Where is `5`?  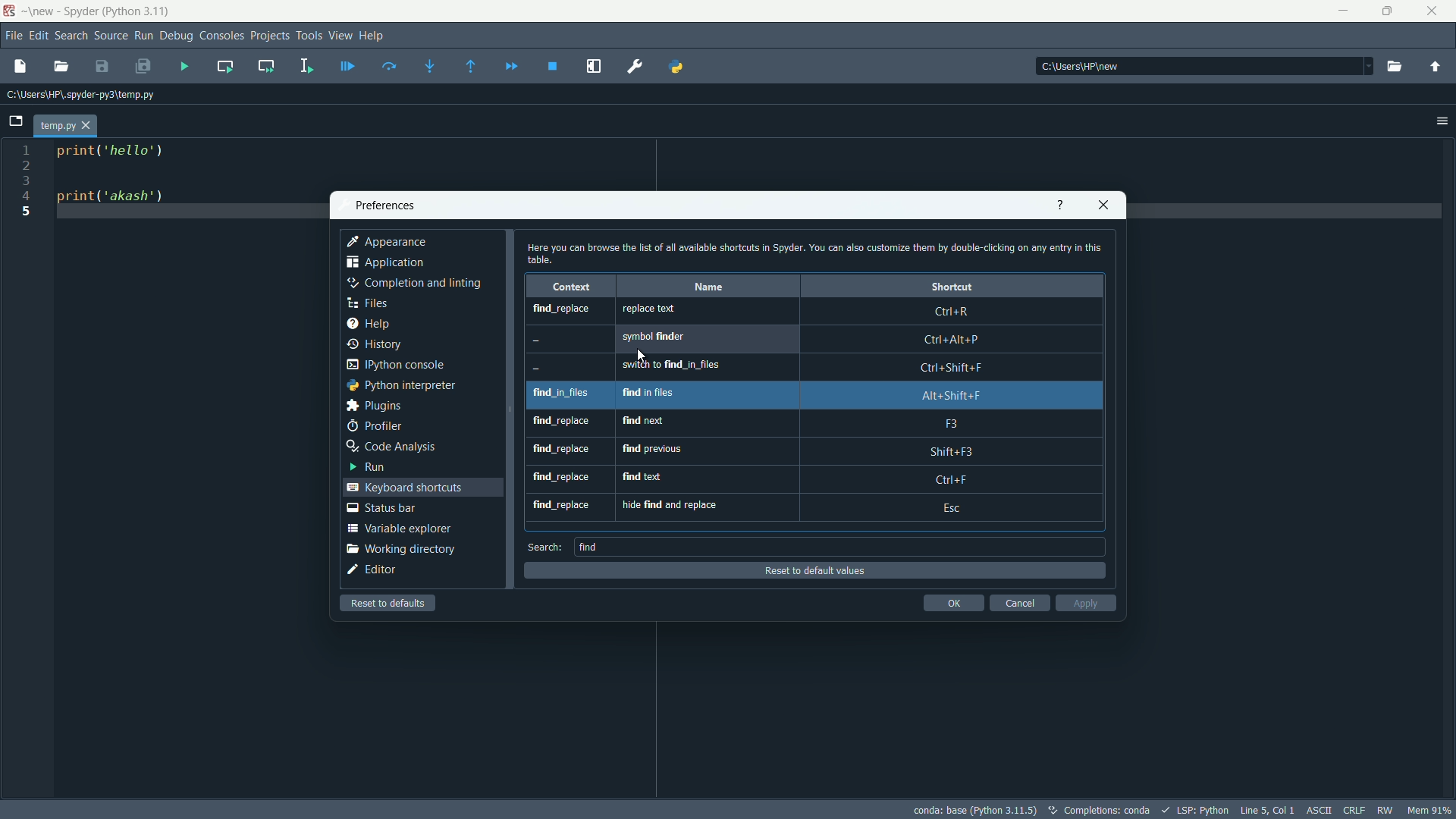 5 is located at coordinates (26, 212).